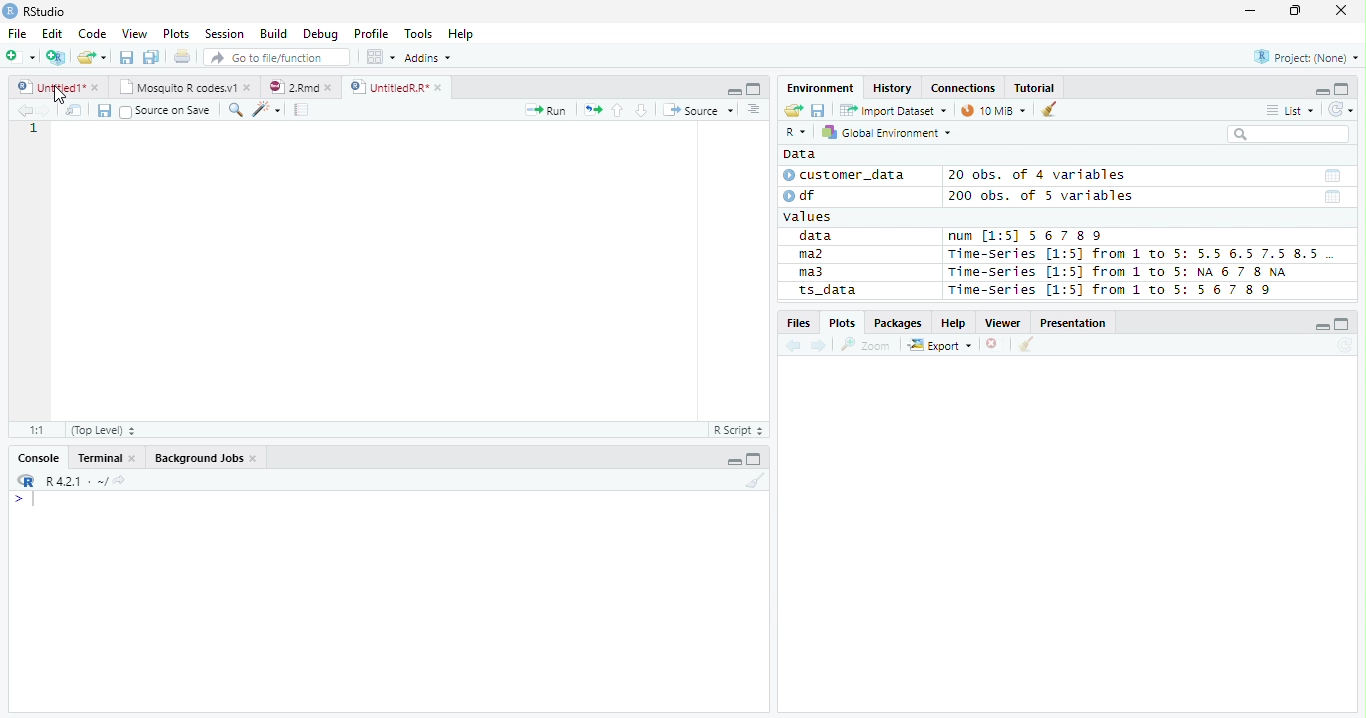 The image size is (1366, 718). I want to click on Save all open documents, so click(151, 58).